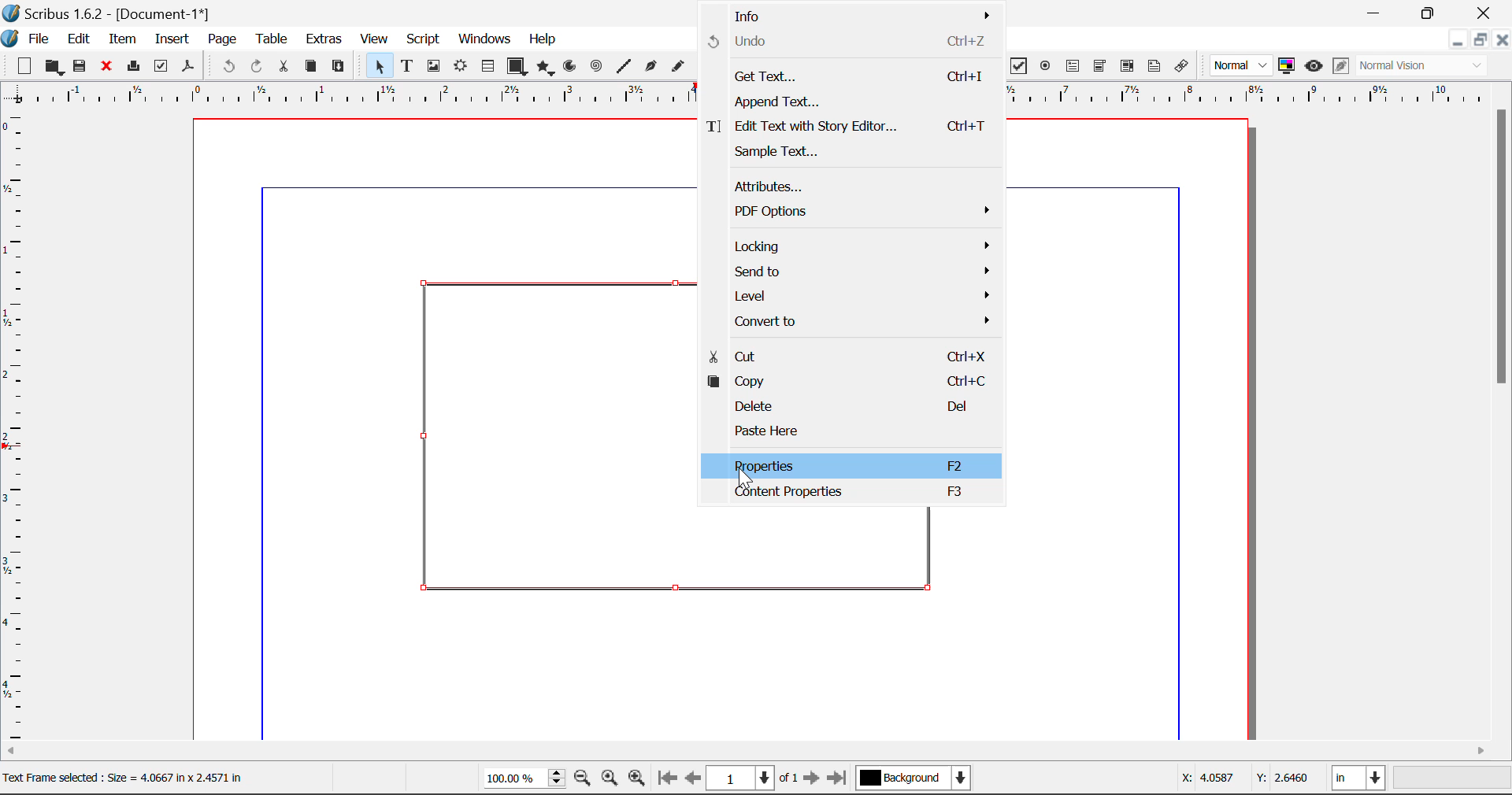 The width and height of the screenshot is (1512, 795). What do you see at coordinates (1242, 66) in the screenshot?
I see `Preview Mode` at bounding box center [1242, 66].